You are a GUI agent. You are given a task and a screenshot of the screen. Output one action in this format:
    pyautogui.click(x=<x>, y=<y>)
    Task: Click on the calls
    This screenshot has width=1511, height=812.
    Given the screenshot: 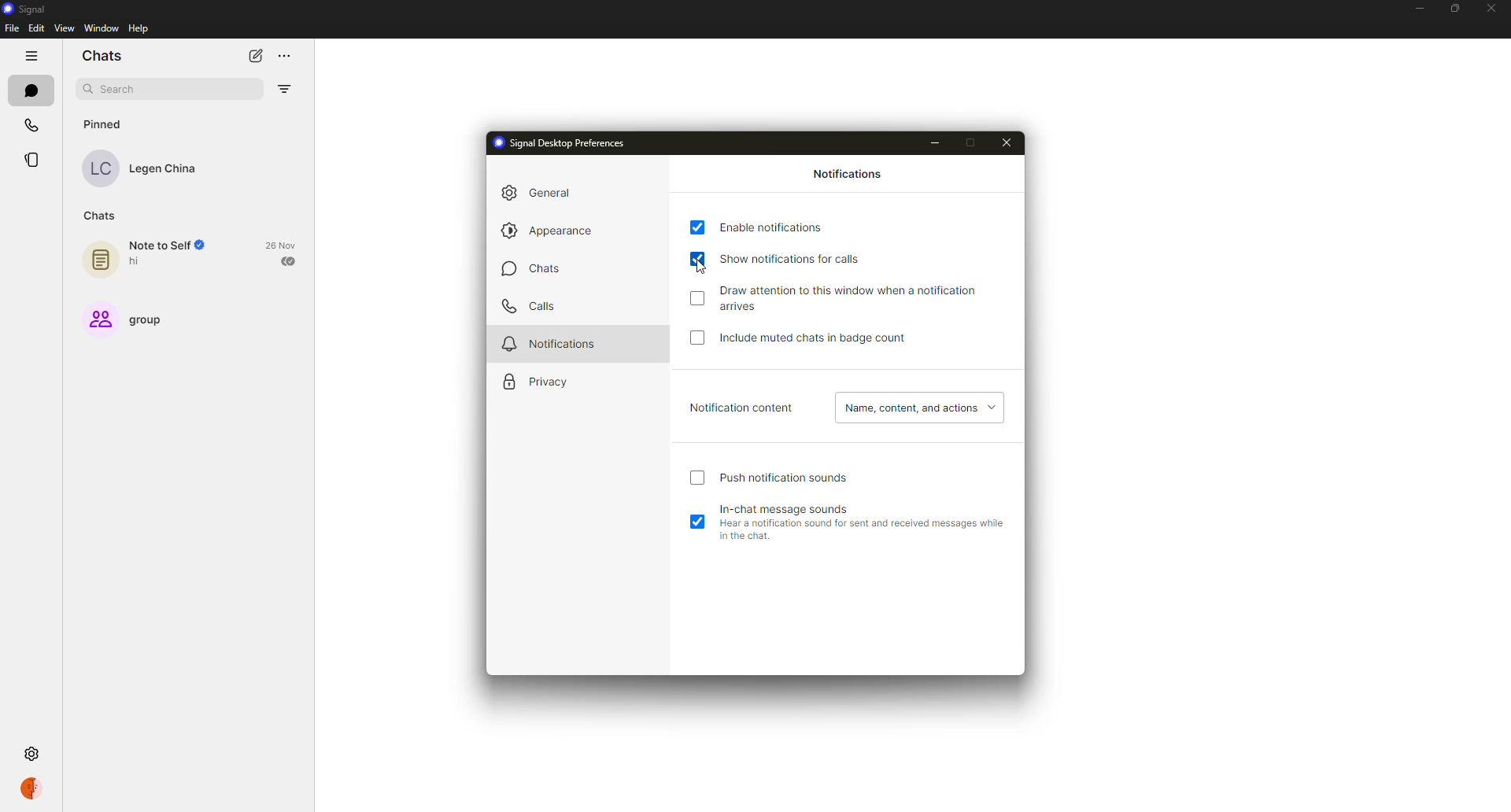 What is the action you would take?
    pyautogui.click(x=33, y=124)
    